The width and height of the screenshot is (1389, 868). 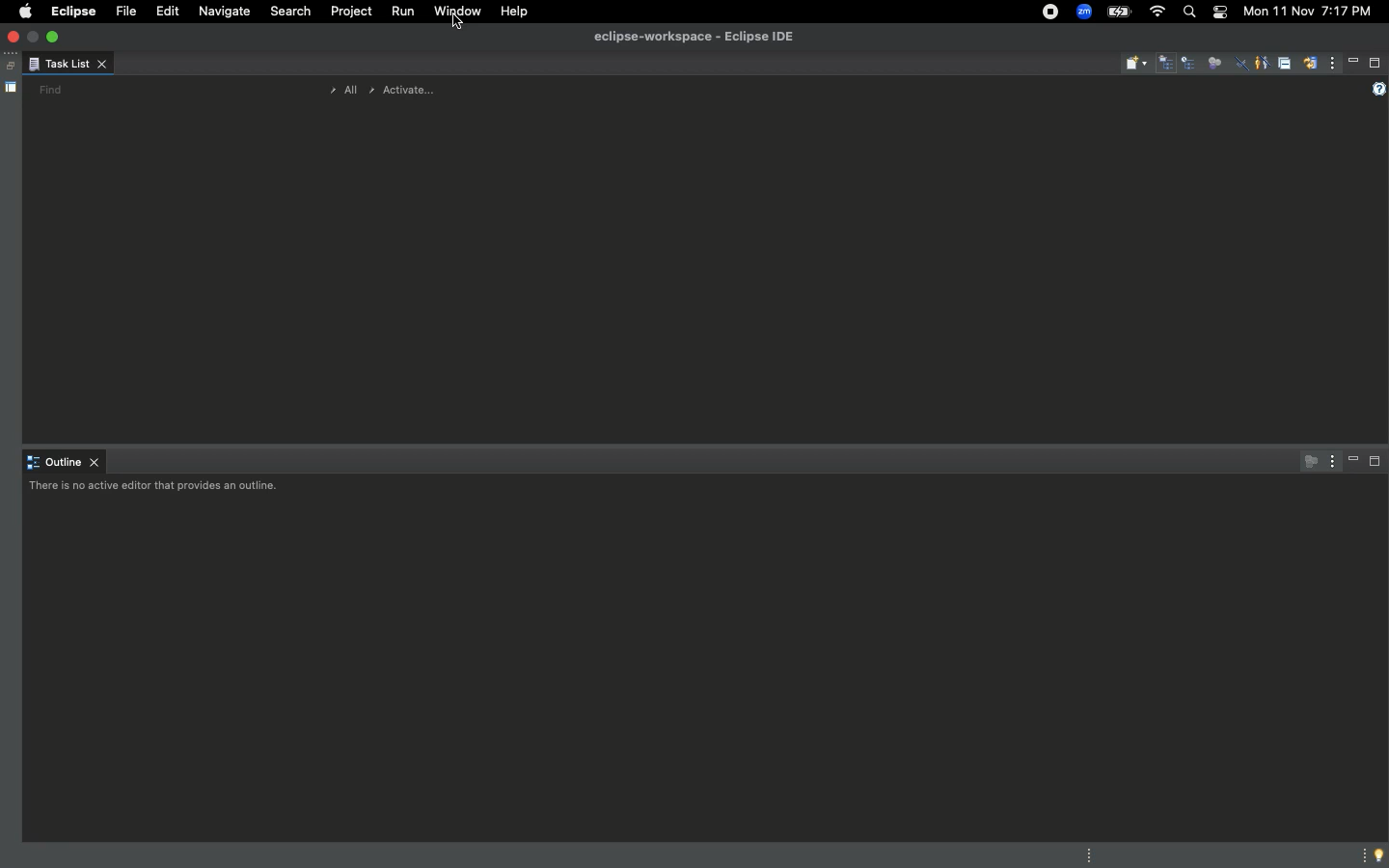 What do you see at coordinates (515, 12) in the screenshot?
I see `Help` at bounding box center [515, 12].